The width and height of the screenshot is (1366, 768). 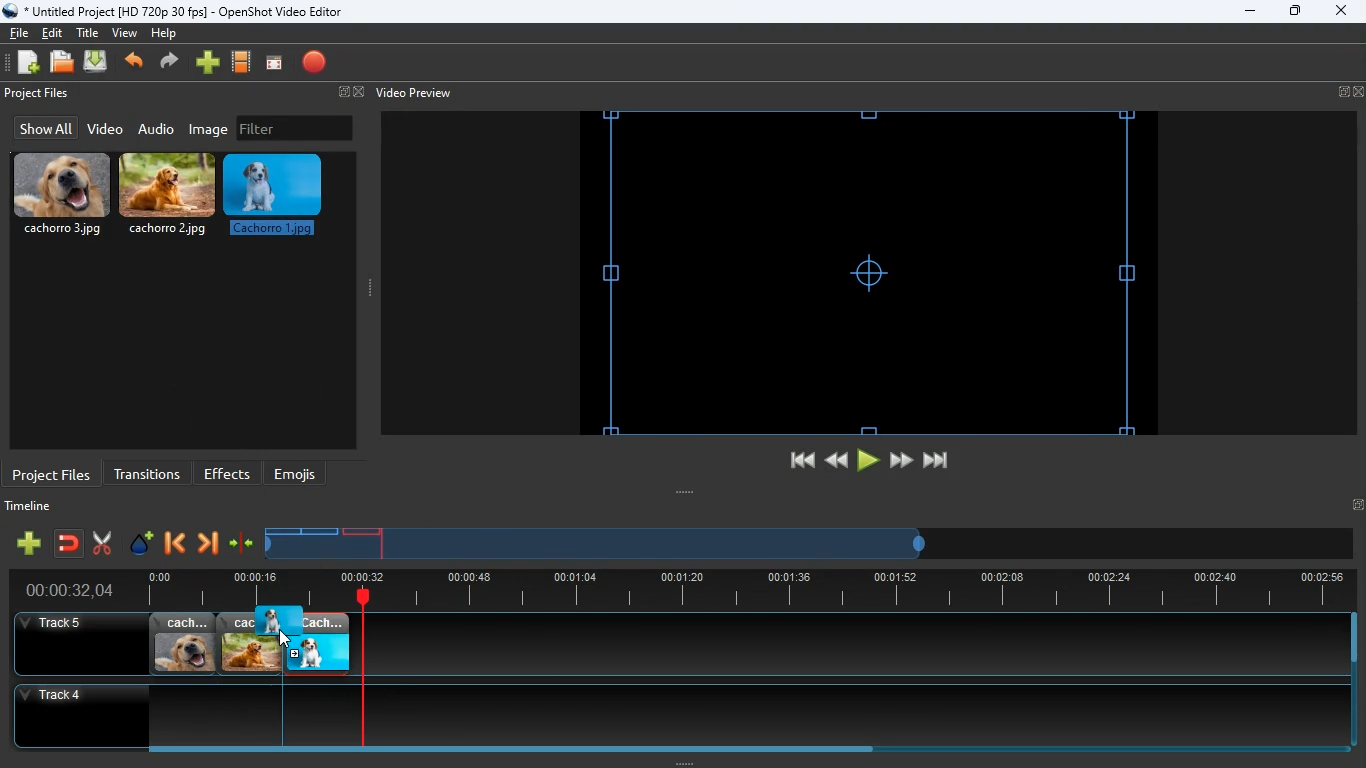 What do you see at coordinates (412, 93) in the screenshot?
I see `video preview` at bounding box center [412, 93].